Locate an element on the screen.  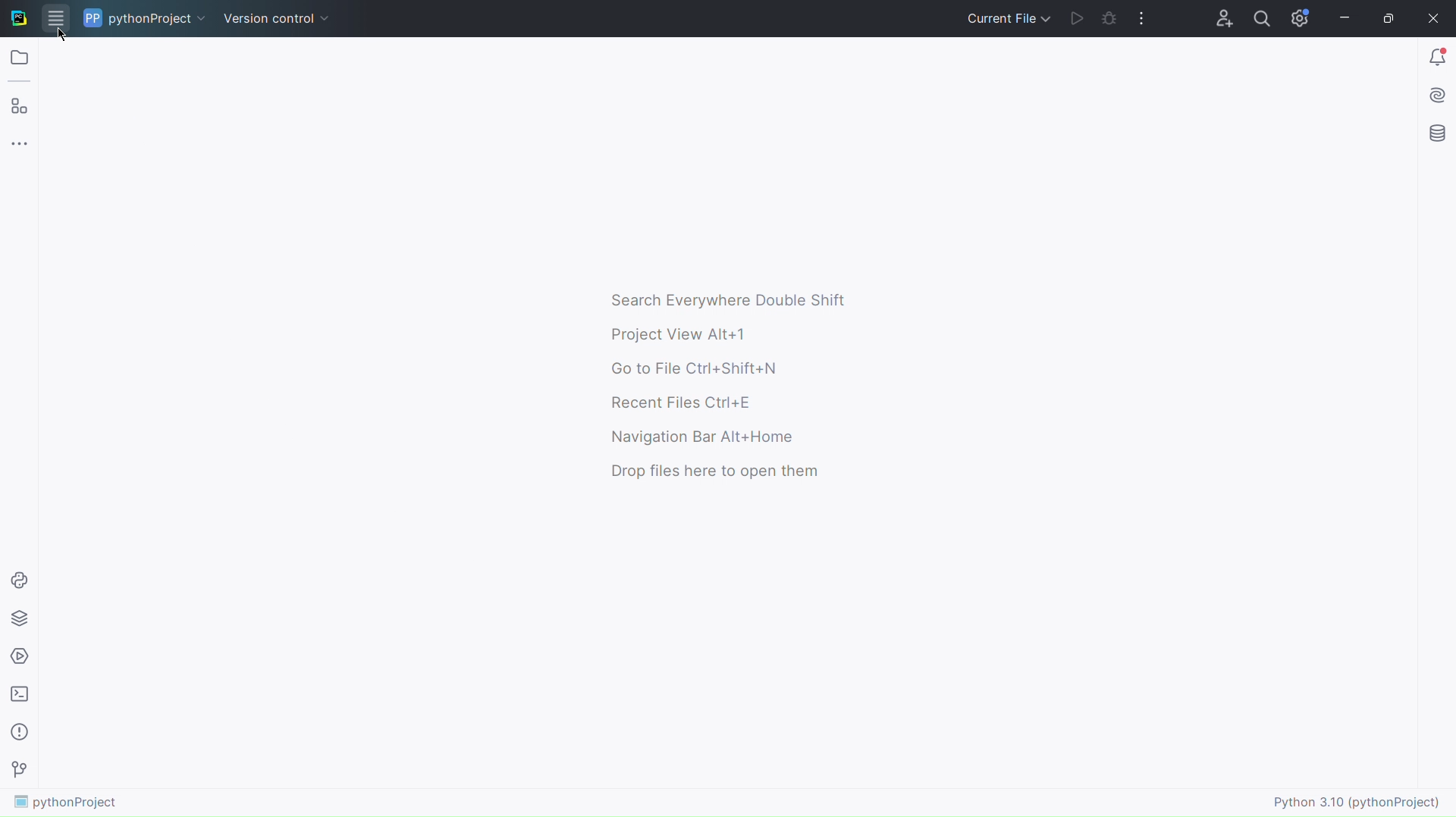
Search is located at coordinates (1263, 17).